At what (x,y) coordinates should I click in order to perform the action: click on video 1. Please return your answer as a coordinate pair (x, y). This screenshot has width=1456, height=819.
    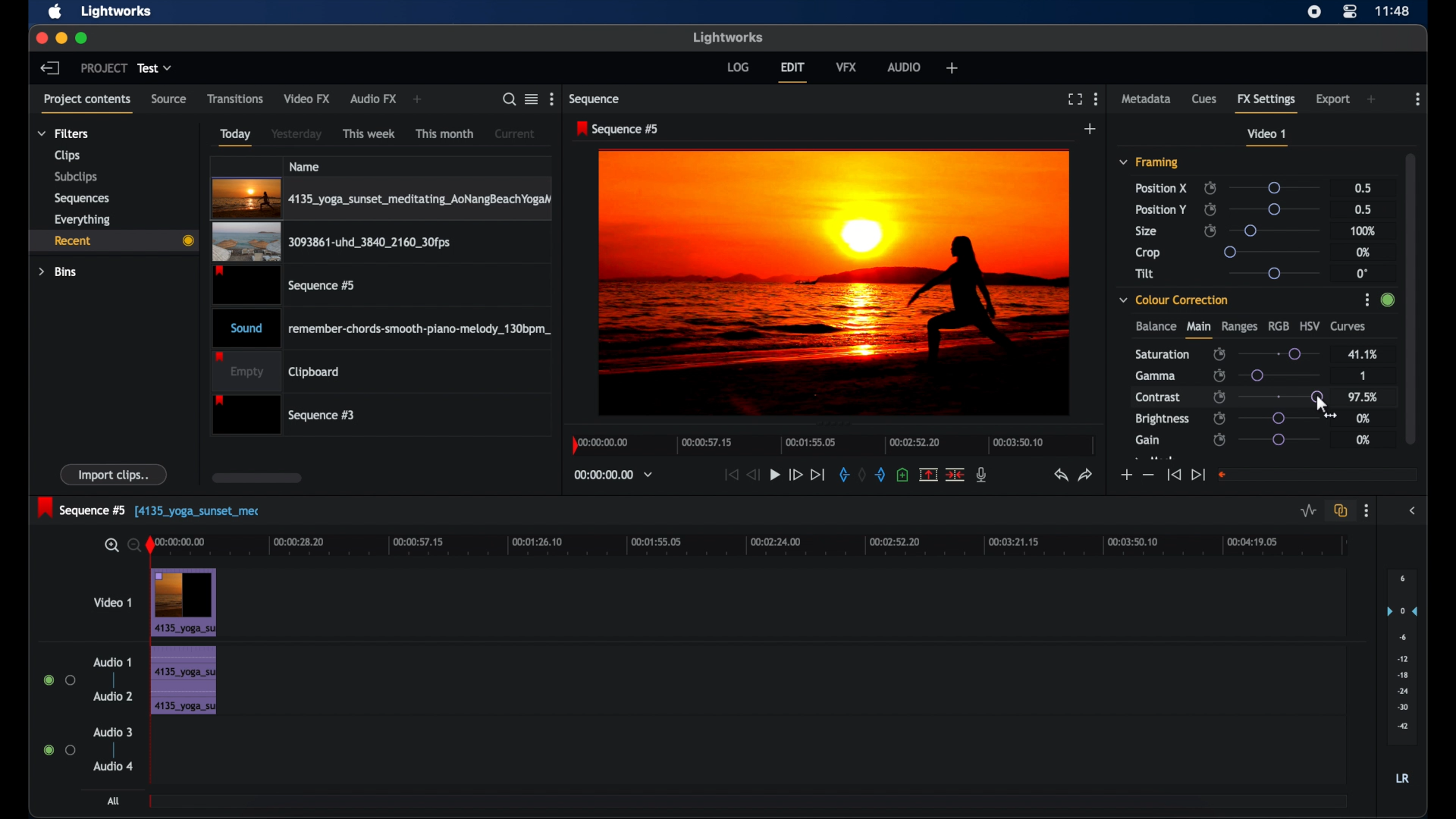
    Looking at the image, I should click on (112, 602).